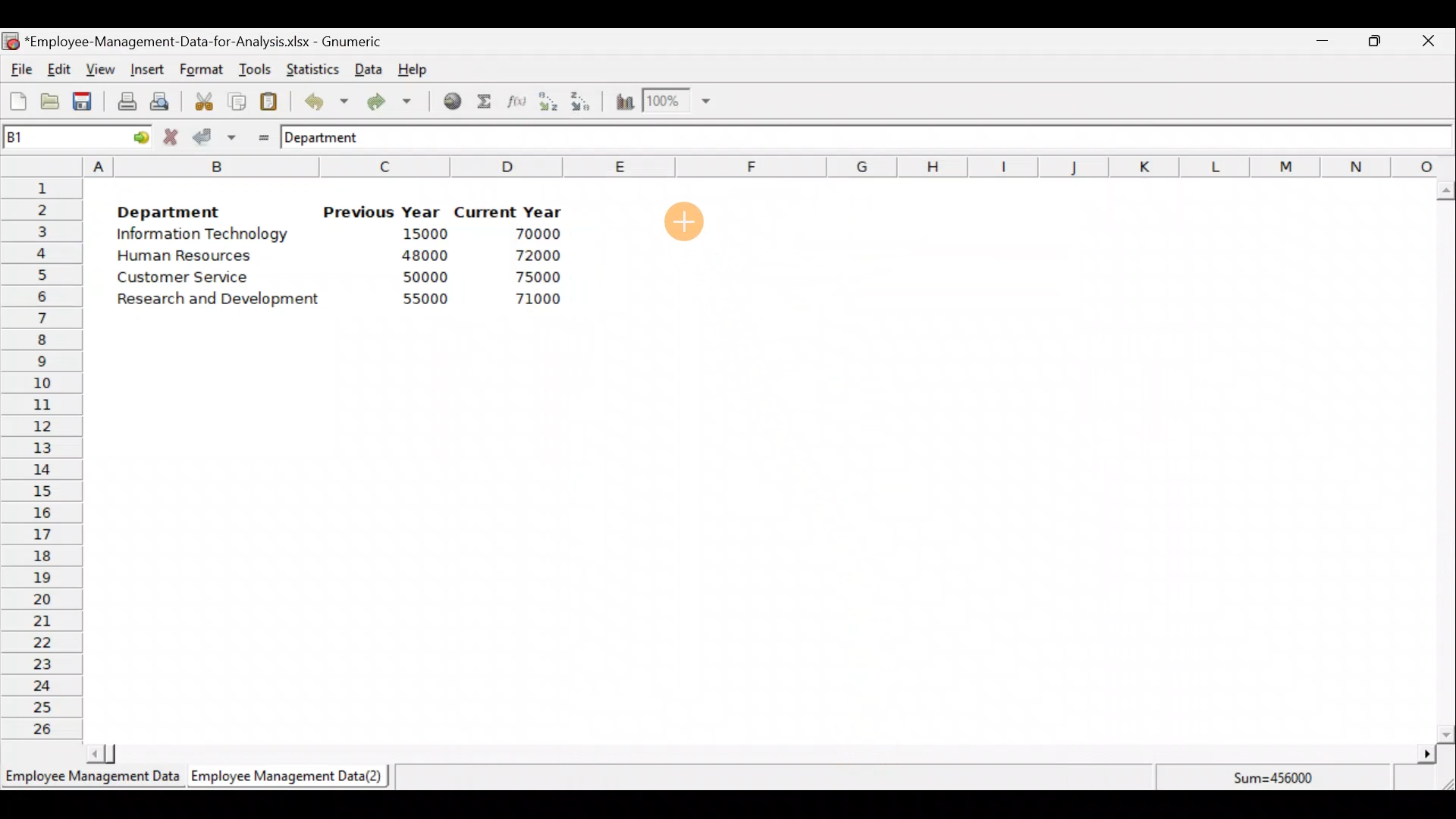 The image size is (1456, 819). I want to click on go to, so click(135, 135).